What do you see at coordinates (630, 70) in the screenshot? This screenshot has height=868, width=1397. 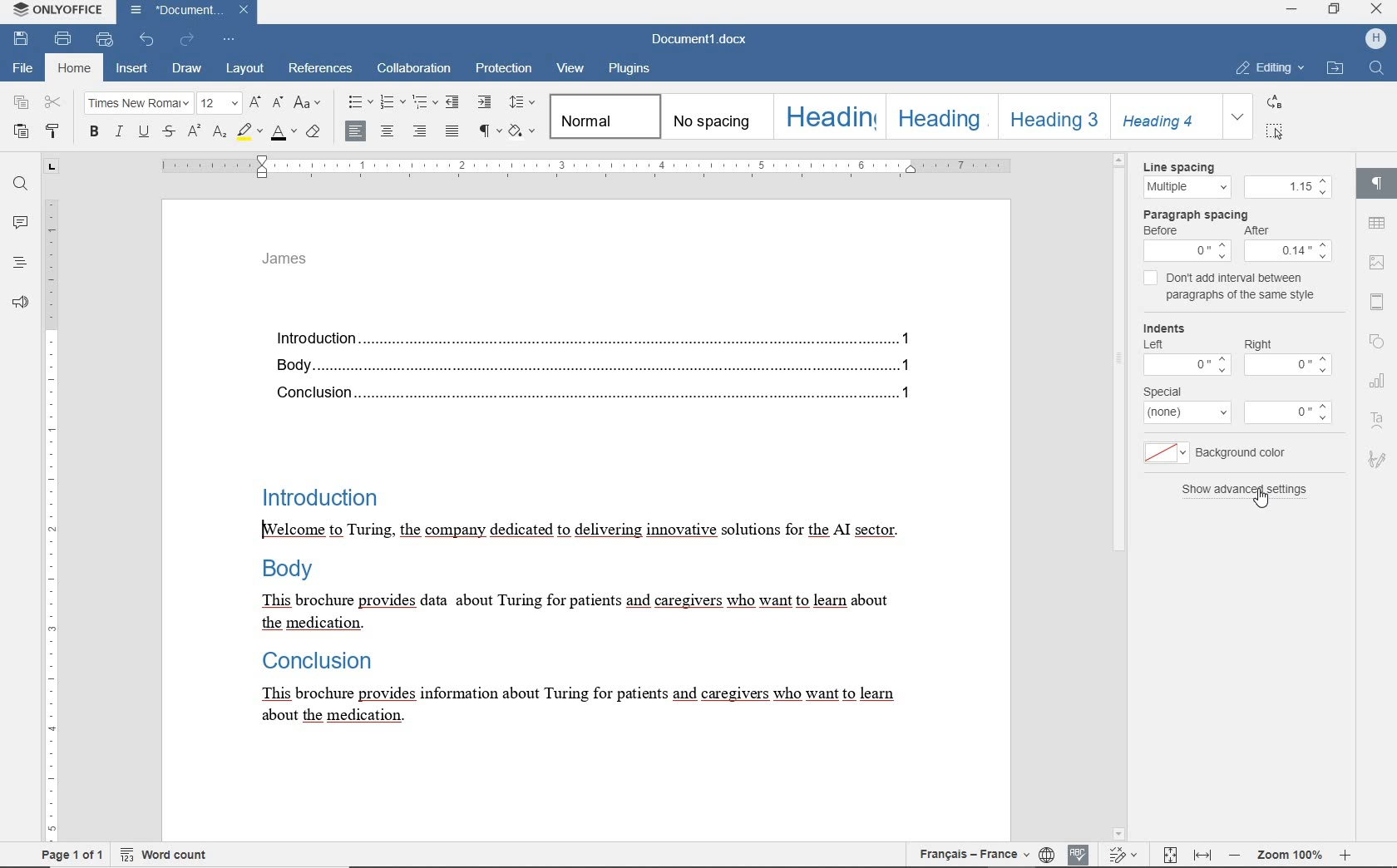 I see `plugins` at bounding box center [630, 70].